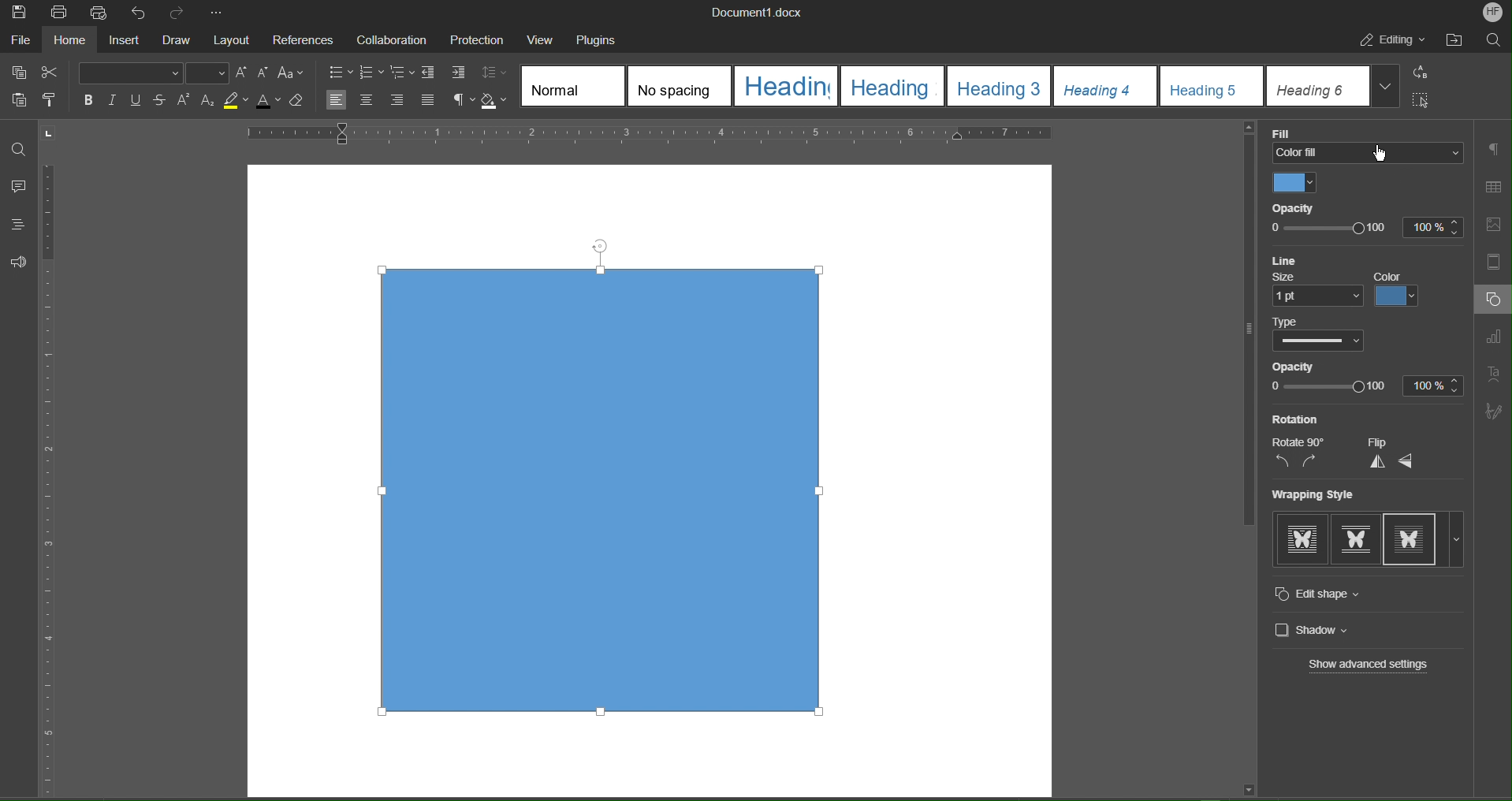 Image resolution: width=1512 pixels, height=801 pixels. What do you see at coordinates (208, 102) in the screenshot?
I see `Subscript` at bounding box center [208, 102].